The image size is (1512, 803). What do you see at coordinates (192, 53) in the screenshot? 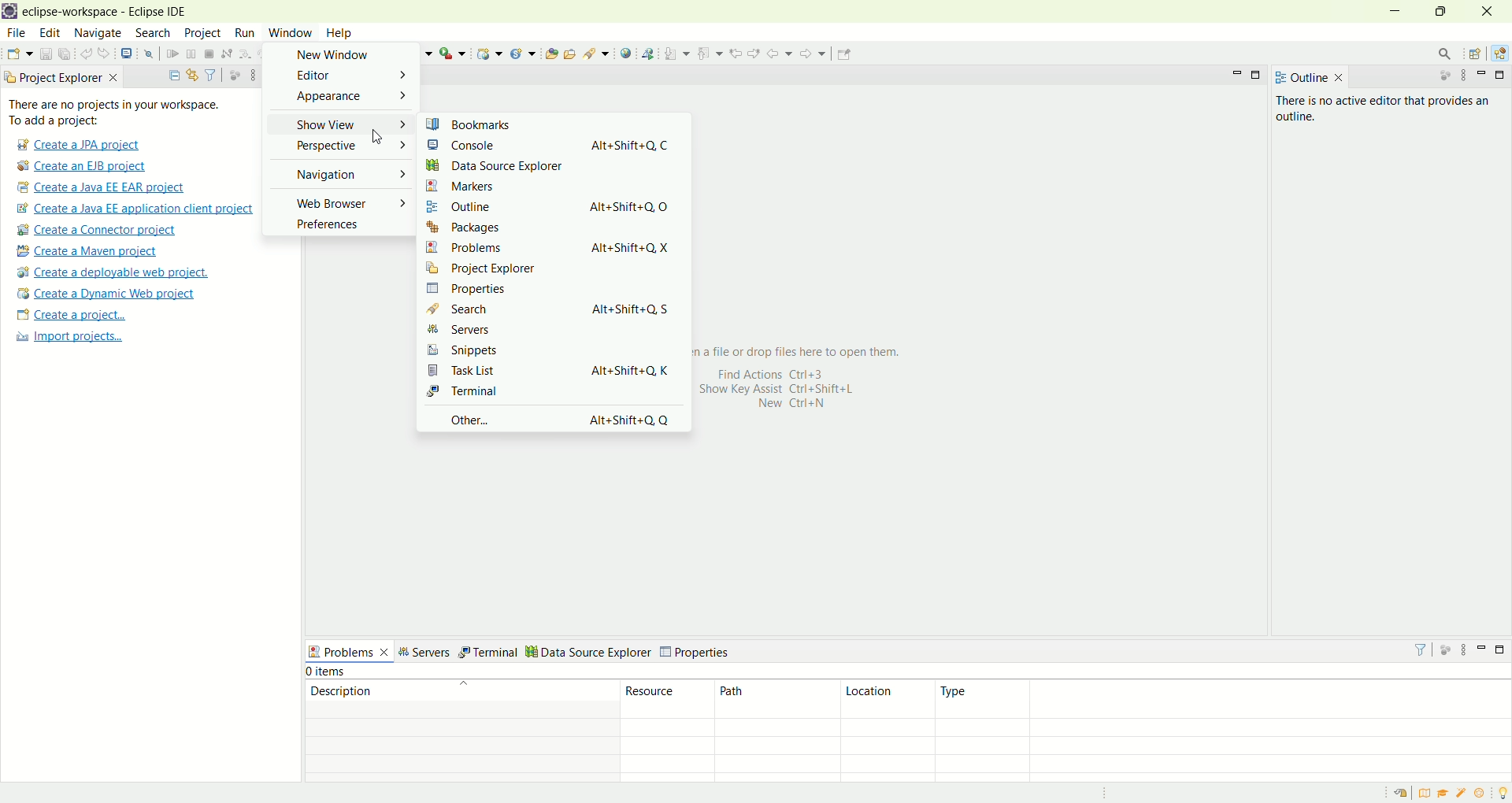
I see `suspend` at bounding box center [192, 53].